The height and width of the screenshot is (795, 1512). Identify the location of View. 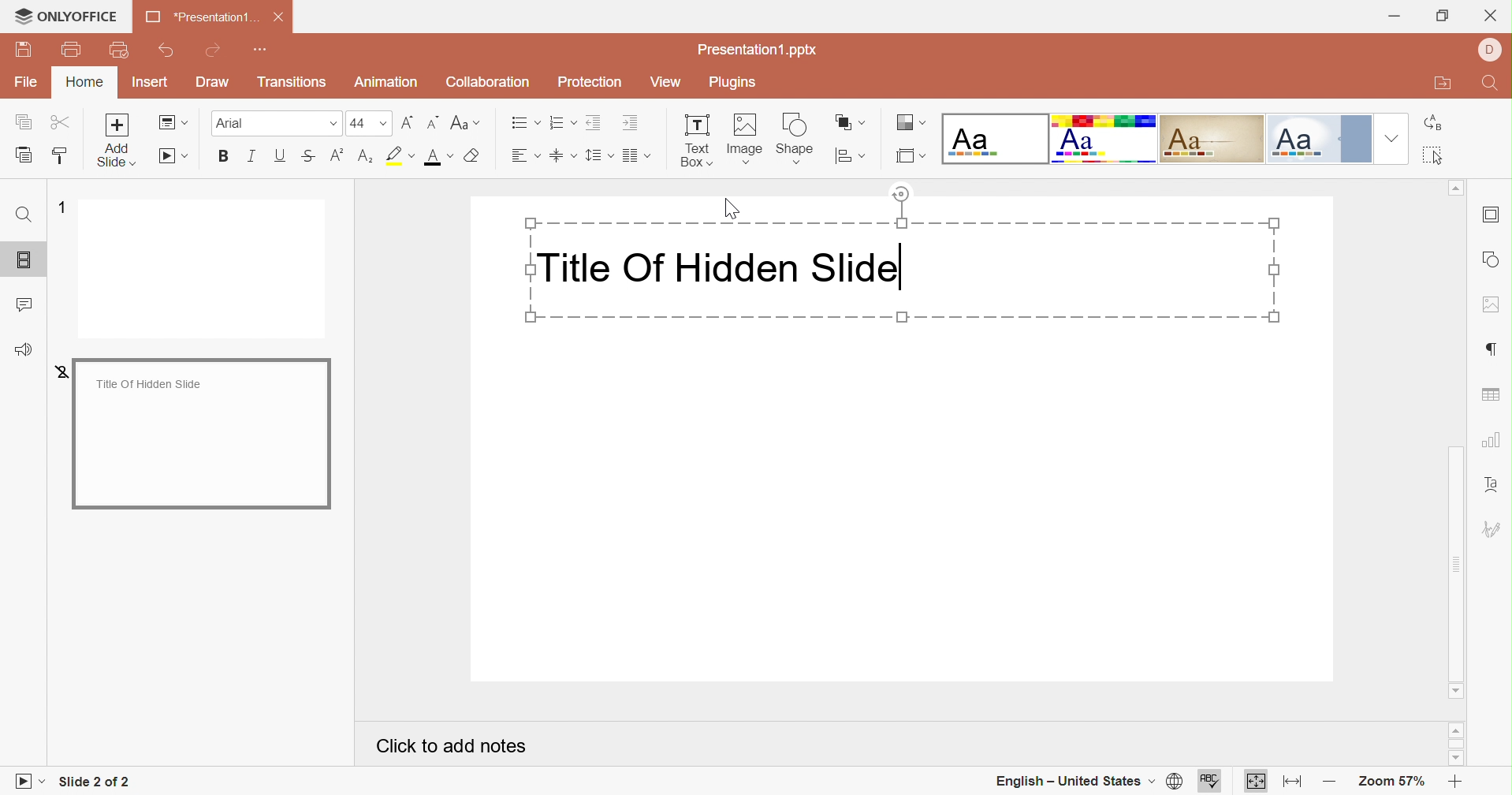
(664, 82).